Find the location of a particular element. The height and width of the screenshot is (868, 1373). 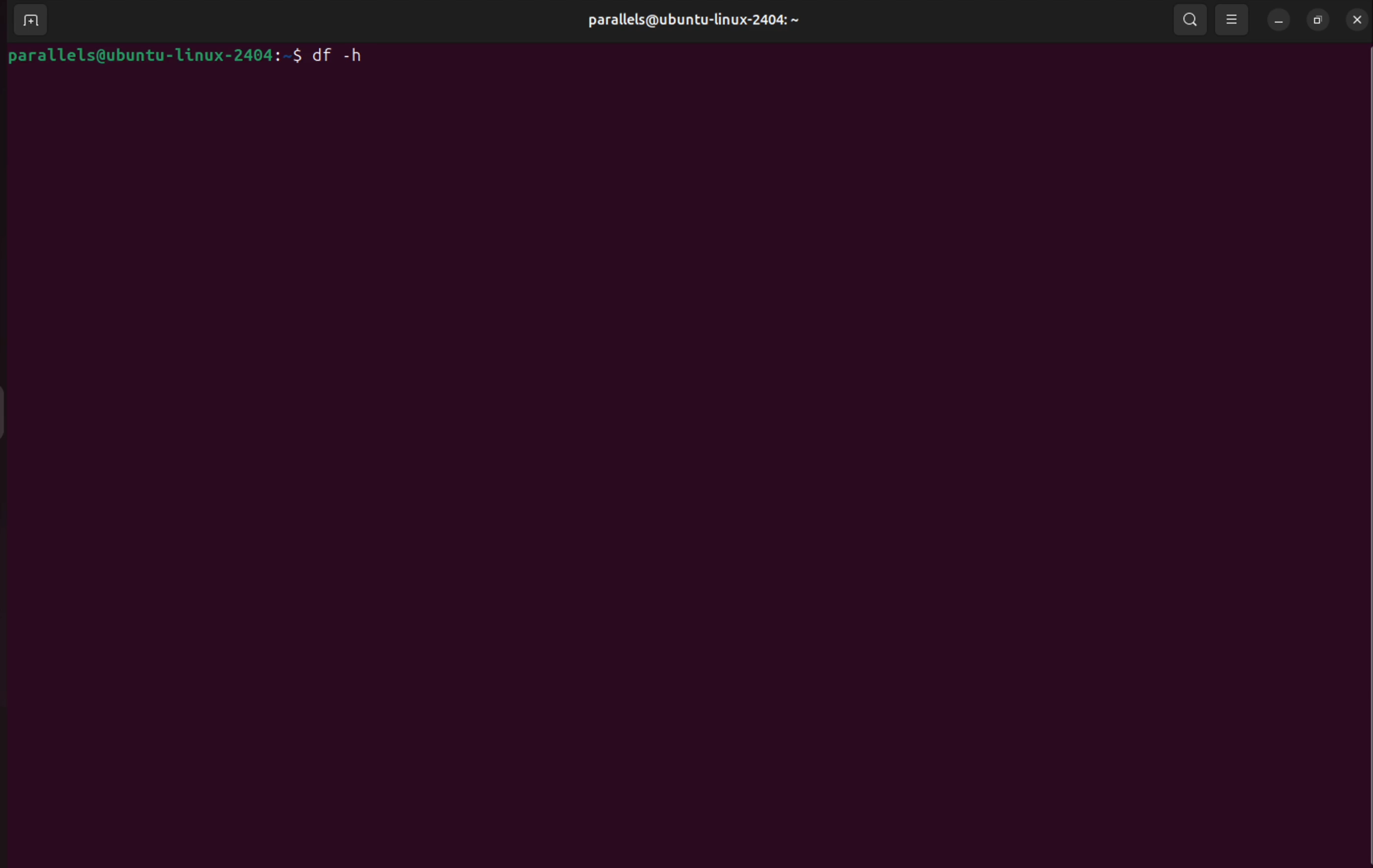

minimize is located at coordinates (1279, 20).